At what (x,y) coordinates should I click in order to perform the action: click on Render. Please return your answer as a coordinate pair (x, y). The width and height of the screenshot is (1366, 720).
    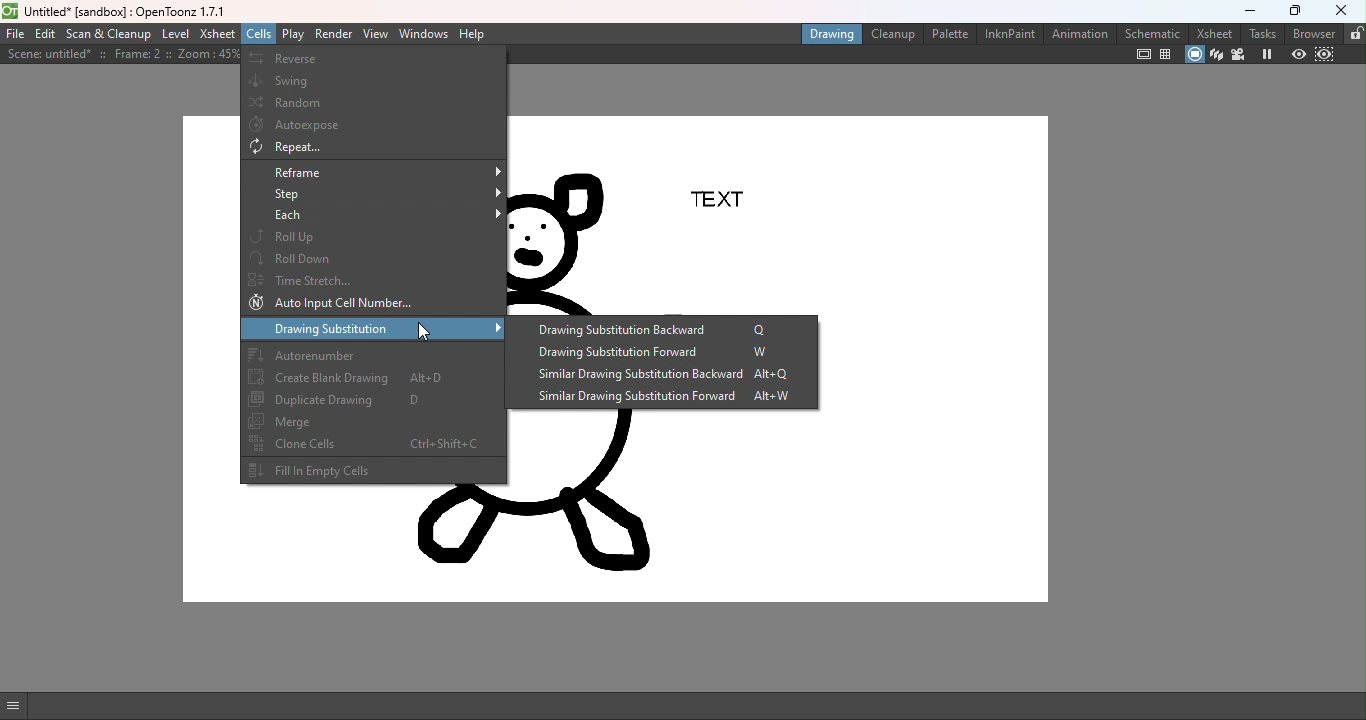
    Looking at the image, I should click on (336, 35).